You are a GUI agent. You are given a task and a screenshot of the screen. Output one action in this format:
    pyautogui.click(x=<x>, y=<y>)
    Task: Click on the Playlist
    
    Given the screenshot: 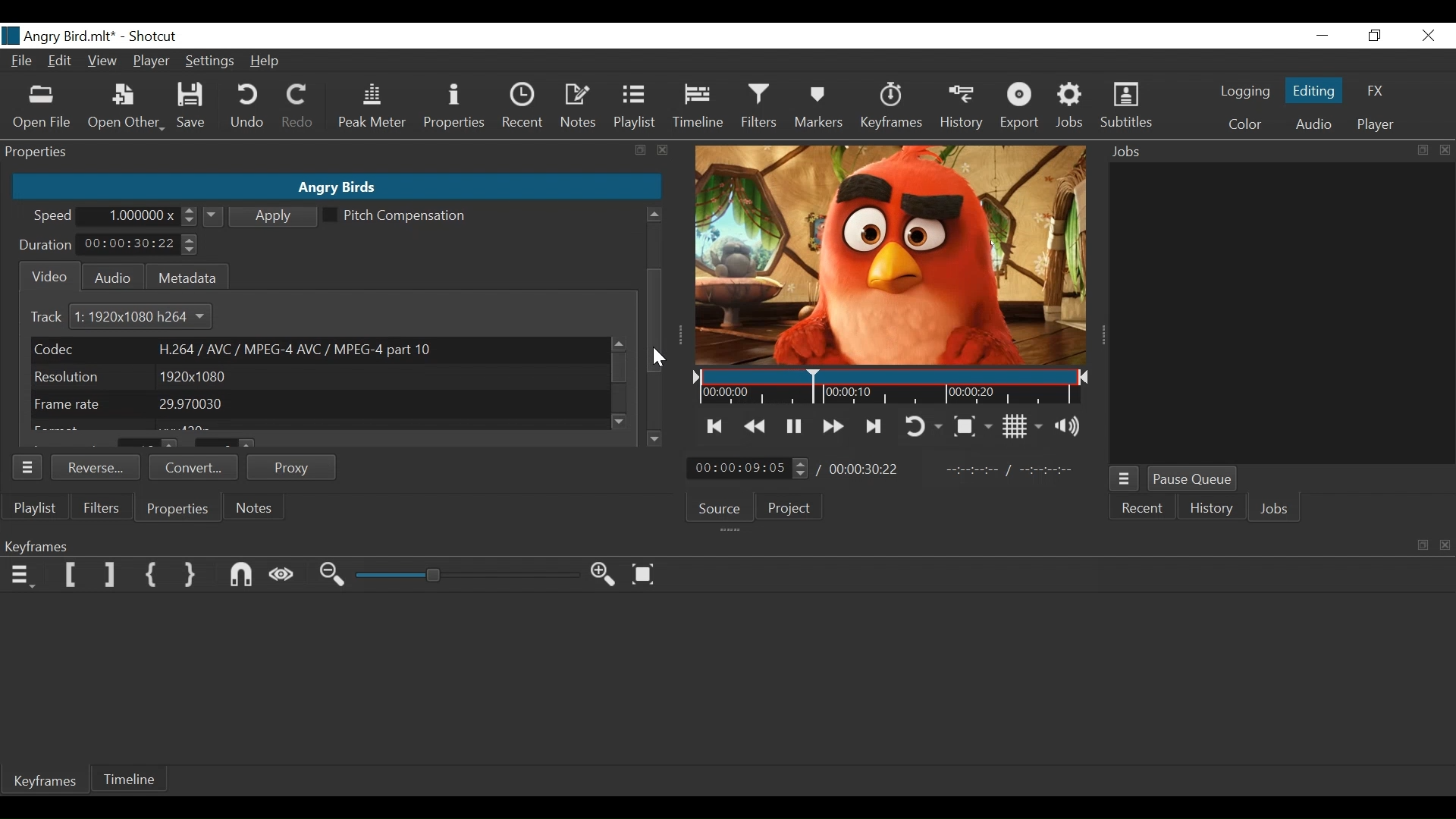 What is the action you would take?
    pyautogui.click(x=636, y=108)
    